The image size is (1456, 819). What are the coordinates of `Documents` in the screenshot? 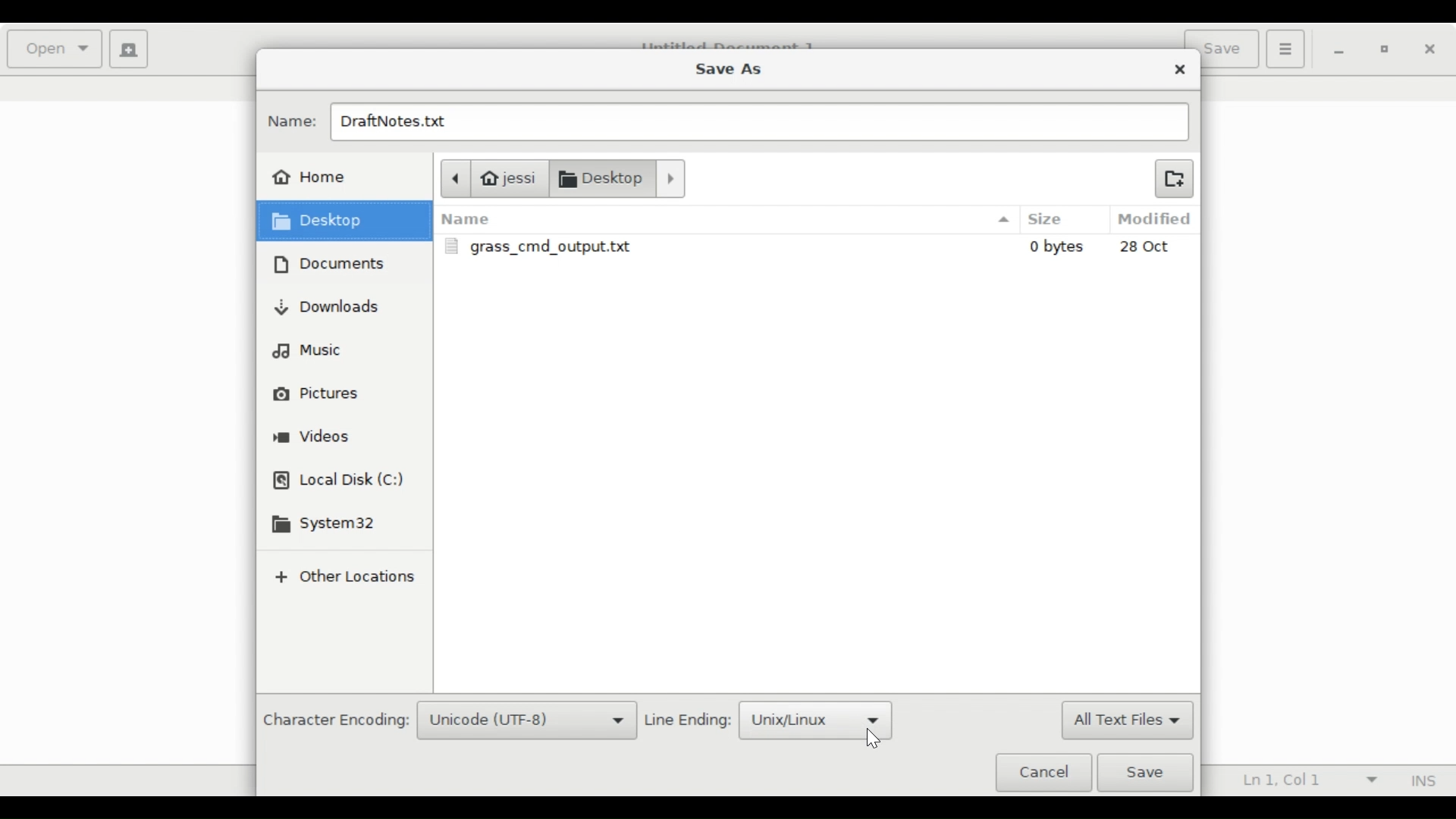 It's located at (334, 264).